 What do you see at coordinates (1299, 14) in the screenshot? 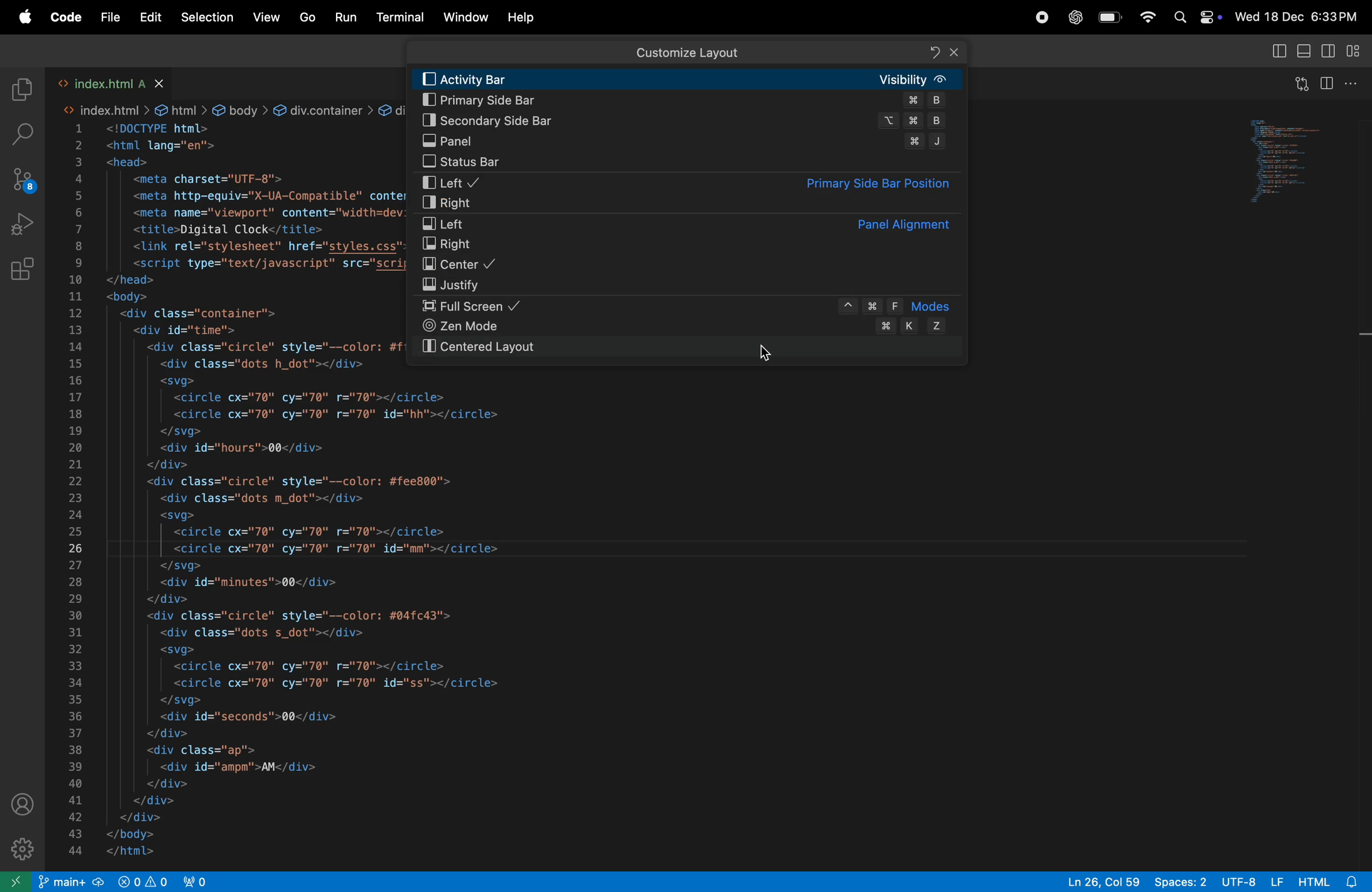
I see `Wed 18 Dec 6:33PM` at bounding box center [1299, 14].